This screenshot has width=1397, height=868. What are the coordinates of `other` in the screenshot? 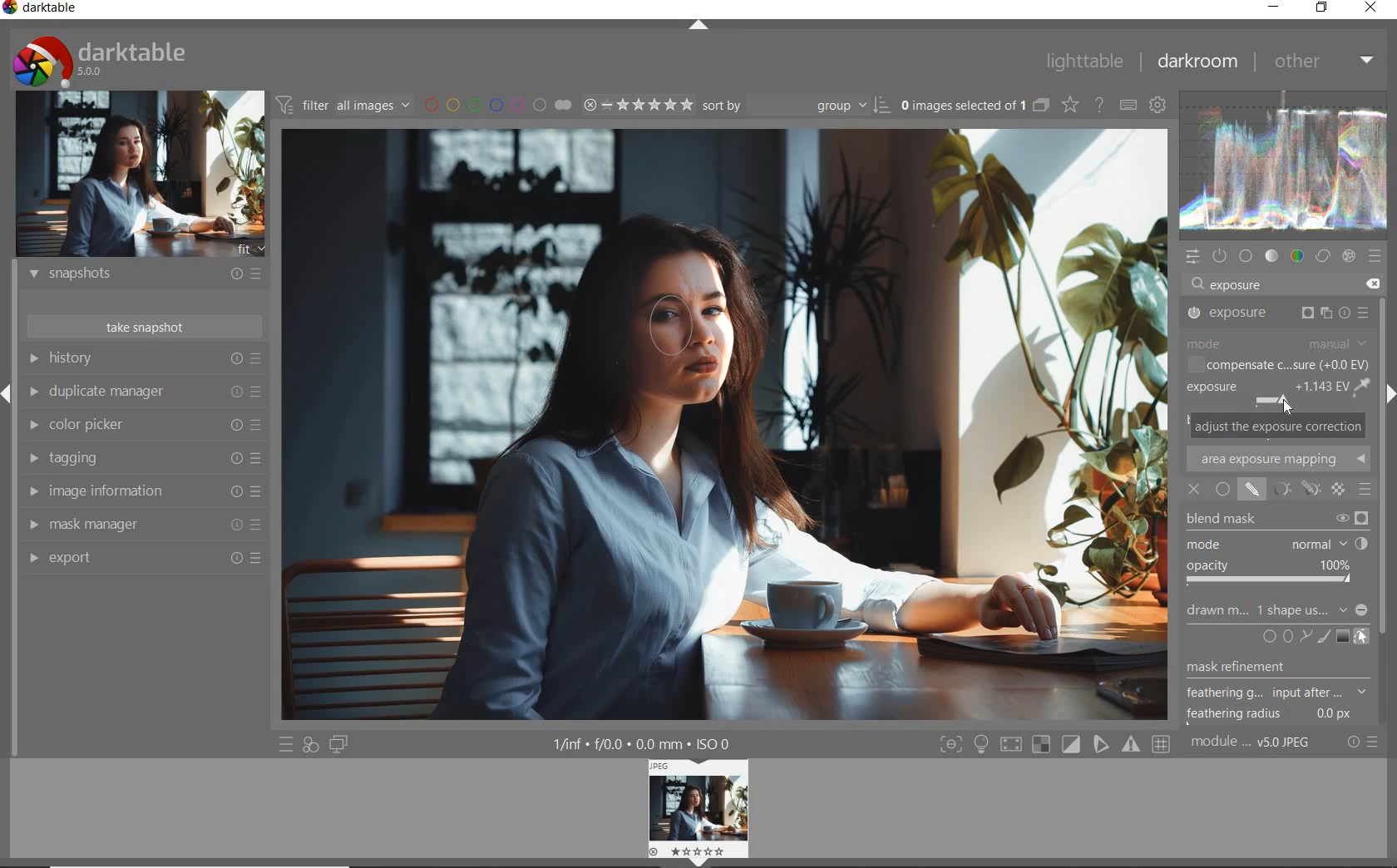 It's located at (1325, 64).